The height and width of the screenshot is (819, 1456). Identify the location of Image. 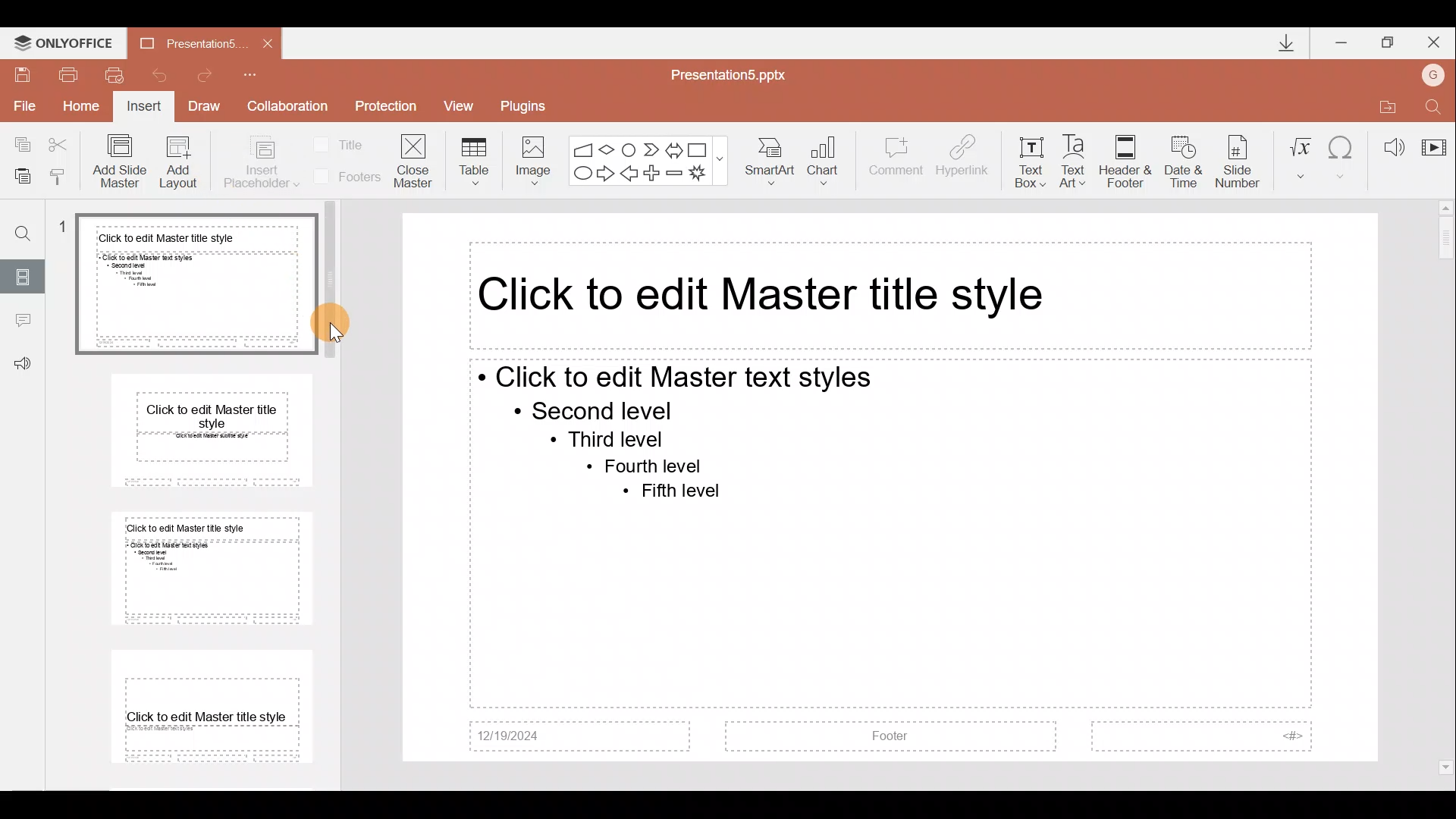
(529, 158).